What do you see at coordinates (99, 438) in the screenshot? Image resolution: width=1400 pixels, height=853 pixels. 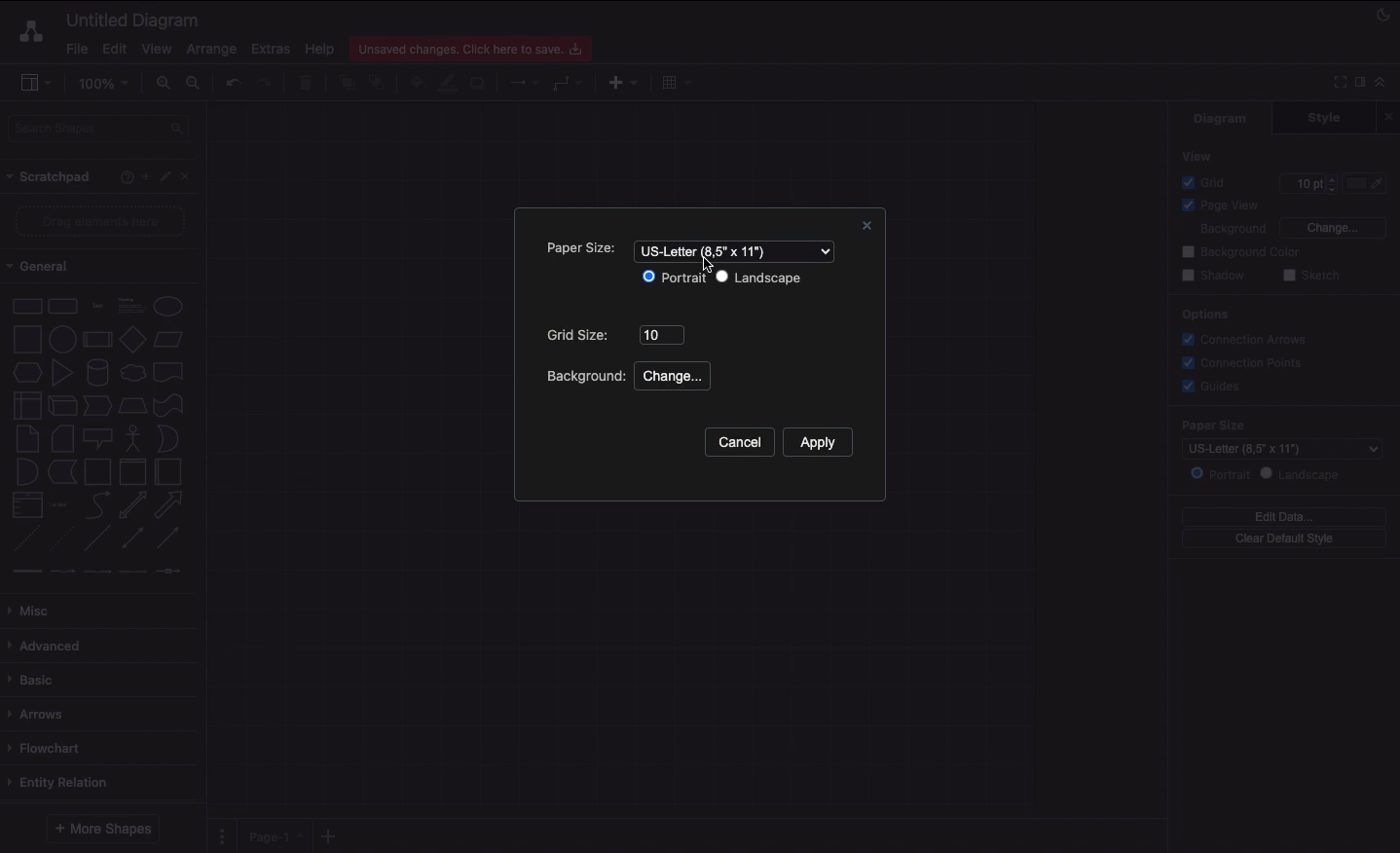 I see `Callout` at bounding box center [99, 438].